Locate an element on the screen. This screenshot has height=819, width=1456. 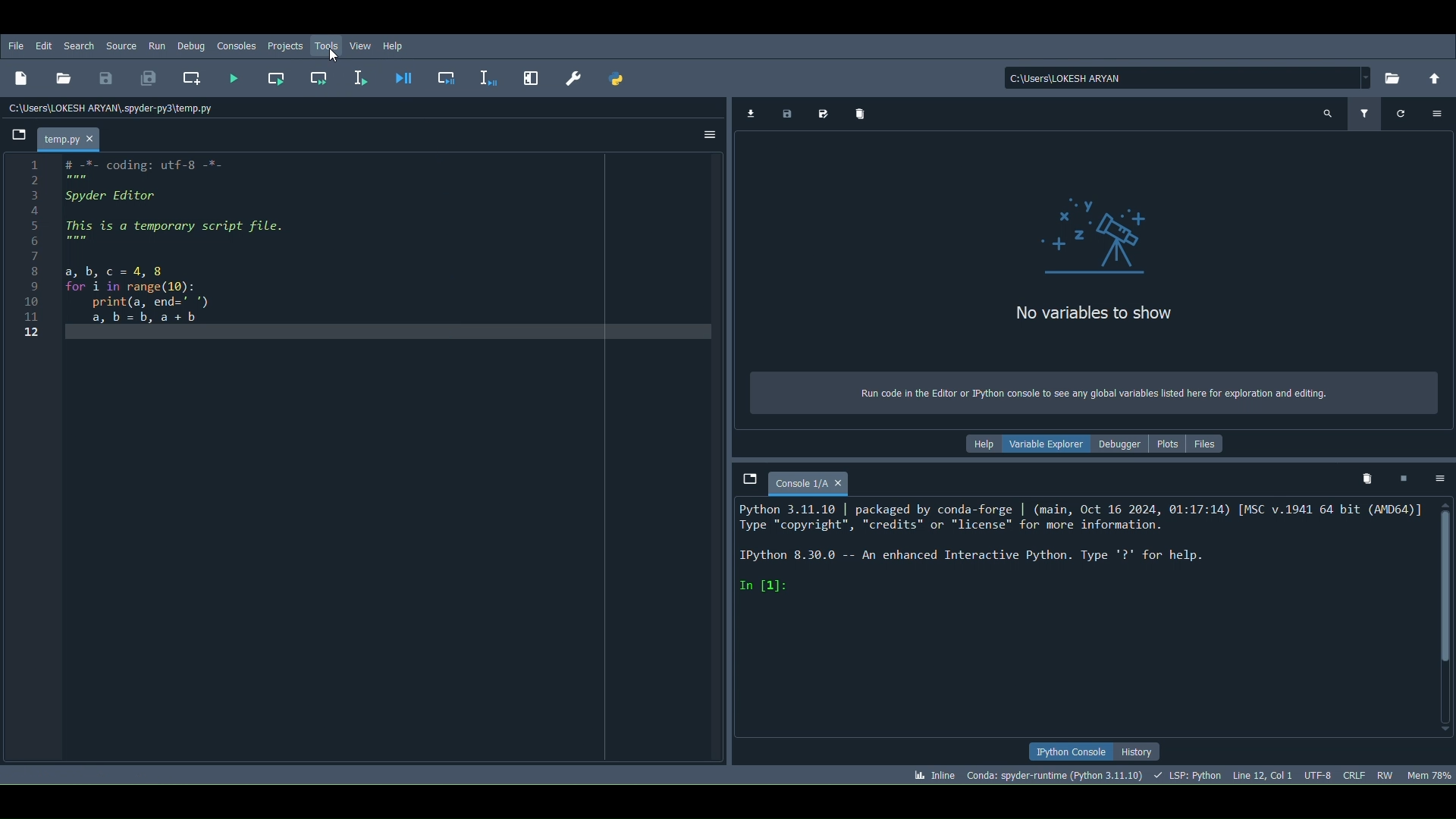
Create a new cell at the current line (Ctrl + 2) is located at coordinates (193, 78).